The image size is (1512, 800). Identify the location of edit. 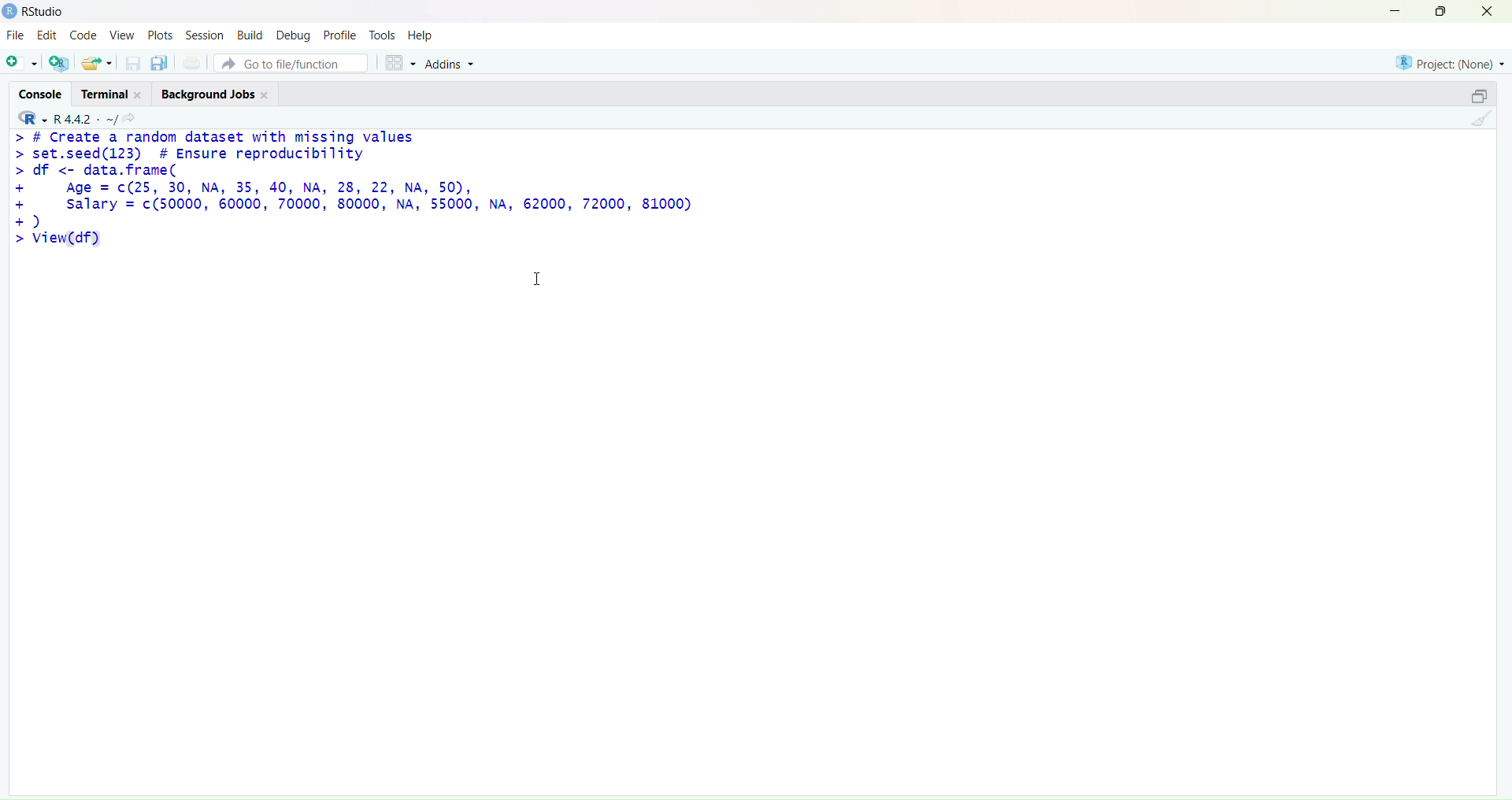
(48, 35).